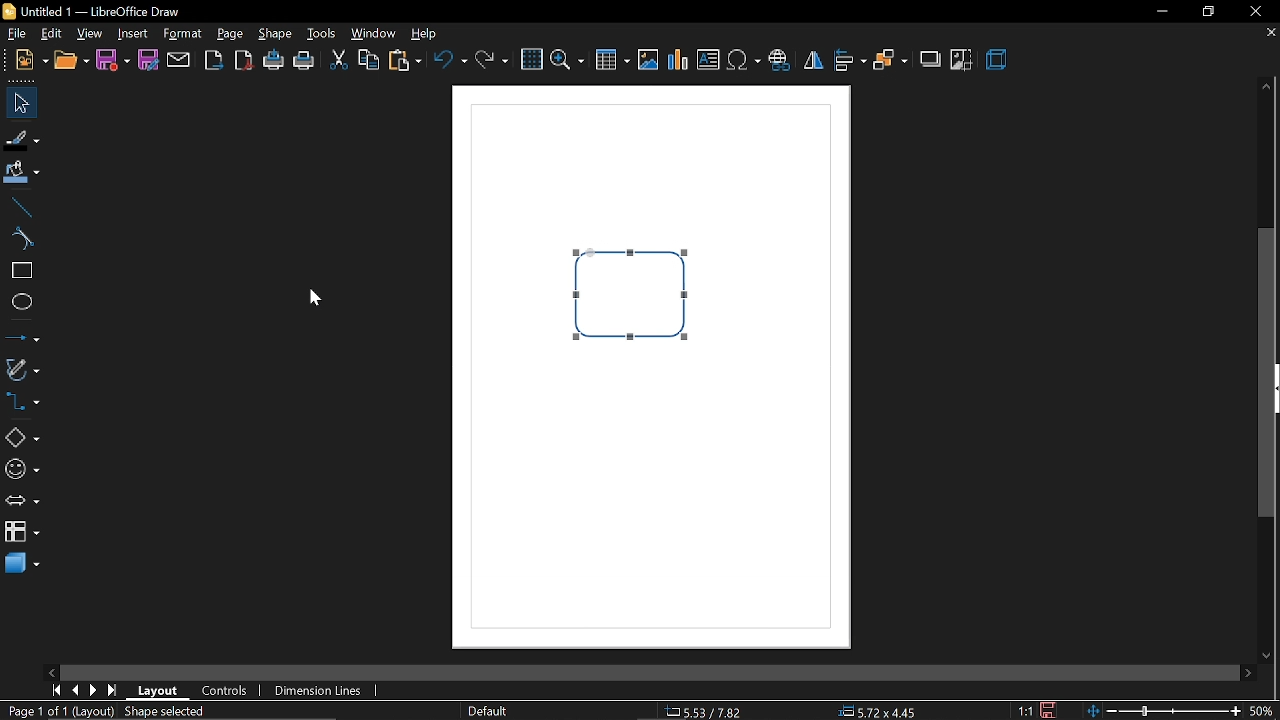 This screenshot has height=720, width=1280. I want to click on scaling factor, so click(1026, 710).